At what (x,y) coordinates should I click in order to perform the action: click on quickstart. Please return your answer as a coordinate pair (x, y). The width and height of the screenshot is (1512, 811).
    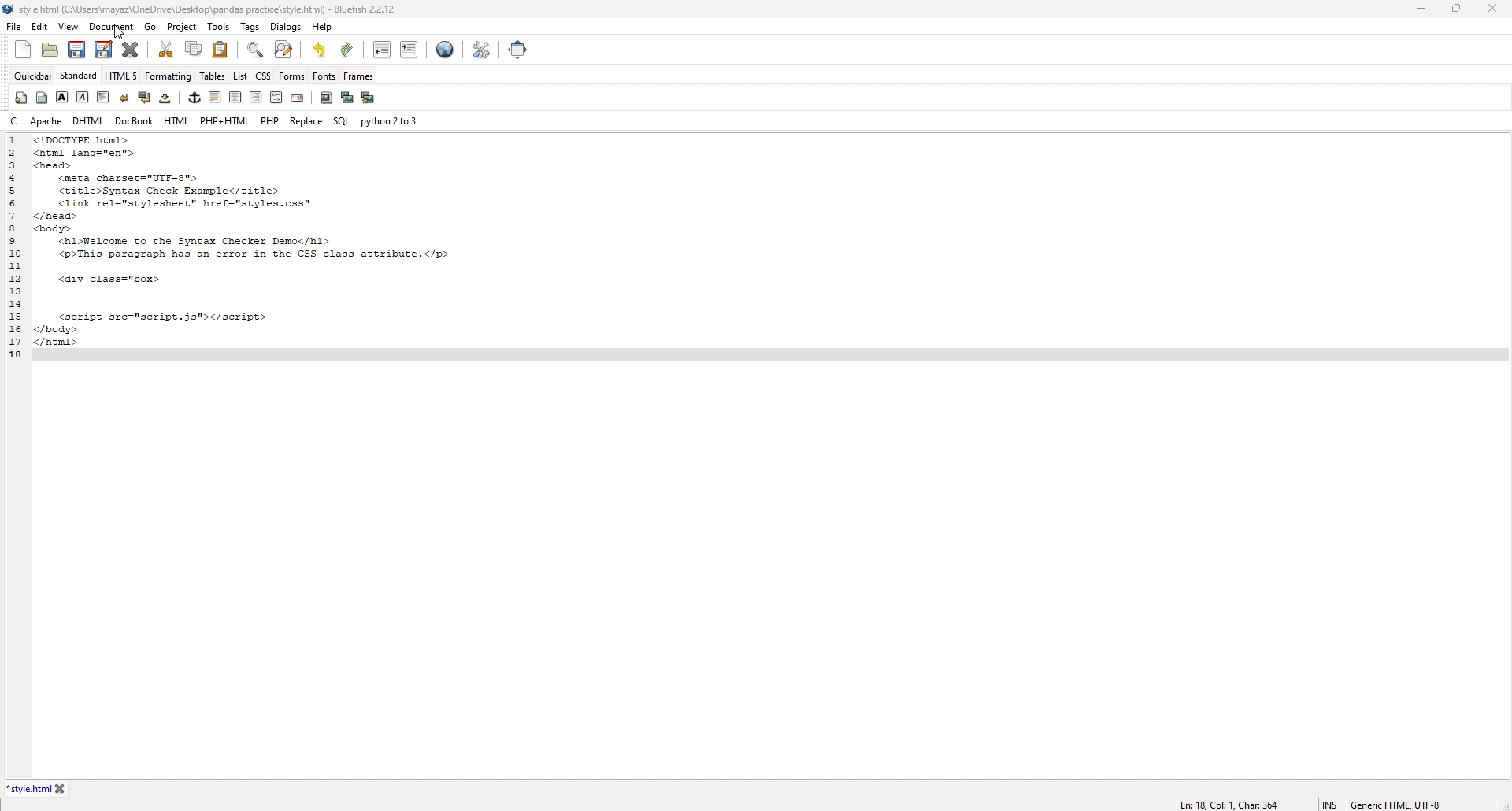
    Looking at the image, I should click on (22, 98).